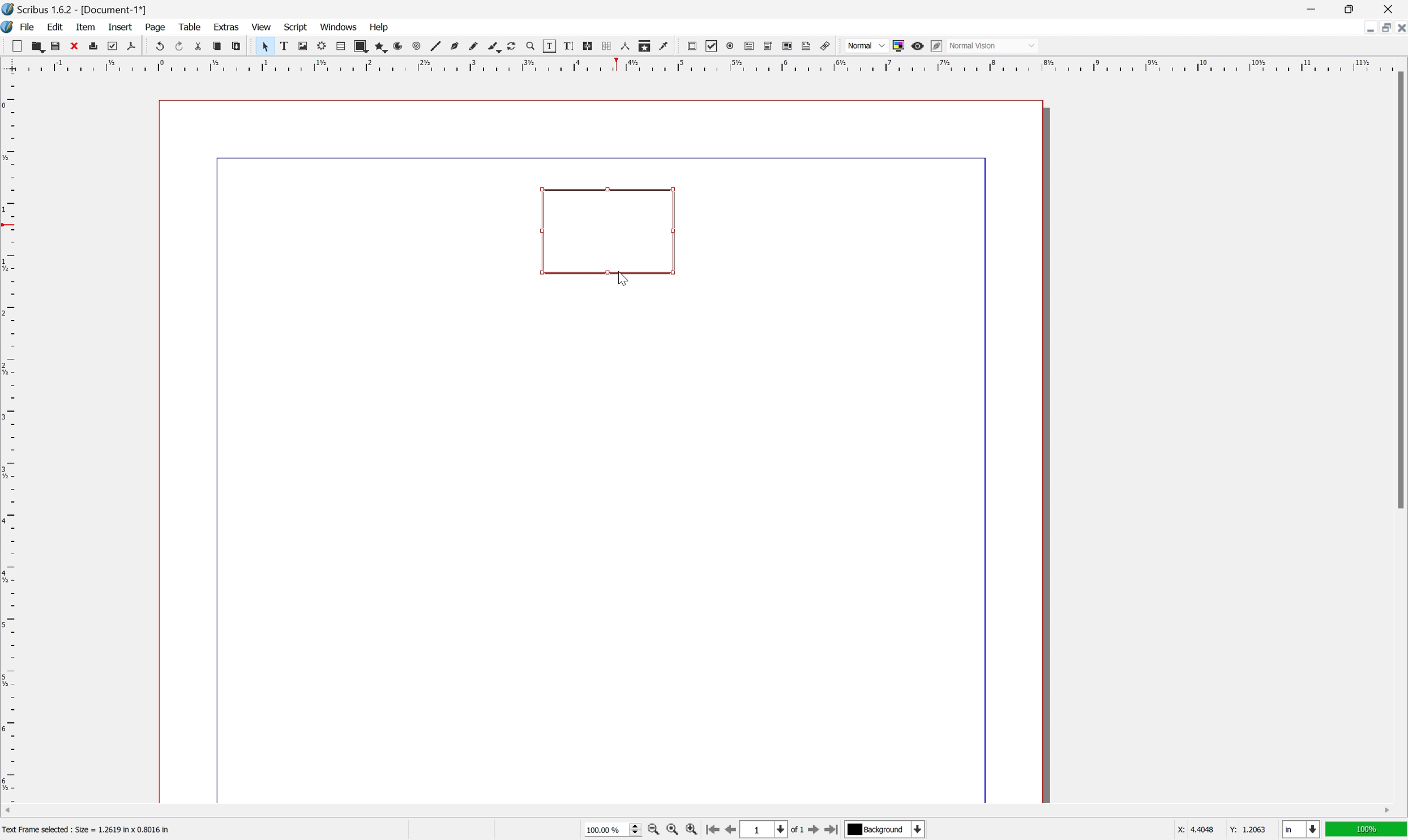 This screenshot has width=1408, height=840. Describe the element at coordinates (88, 11) in the screenshot. I see `Scribus 1.6.2 - [Document 1*]` at that location.